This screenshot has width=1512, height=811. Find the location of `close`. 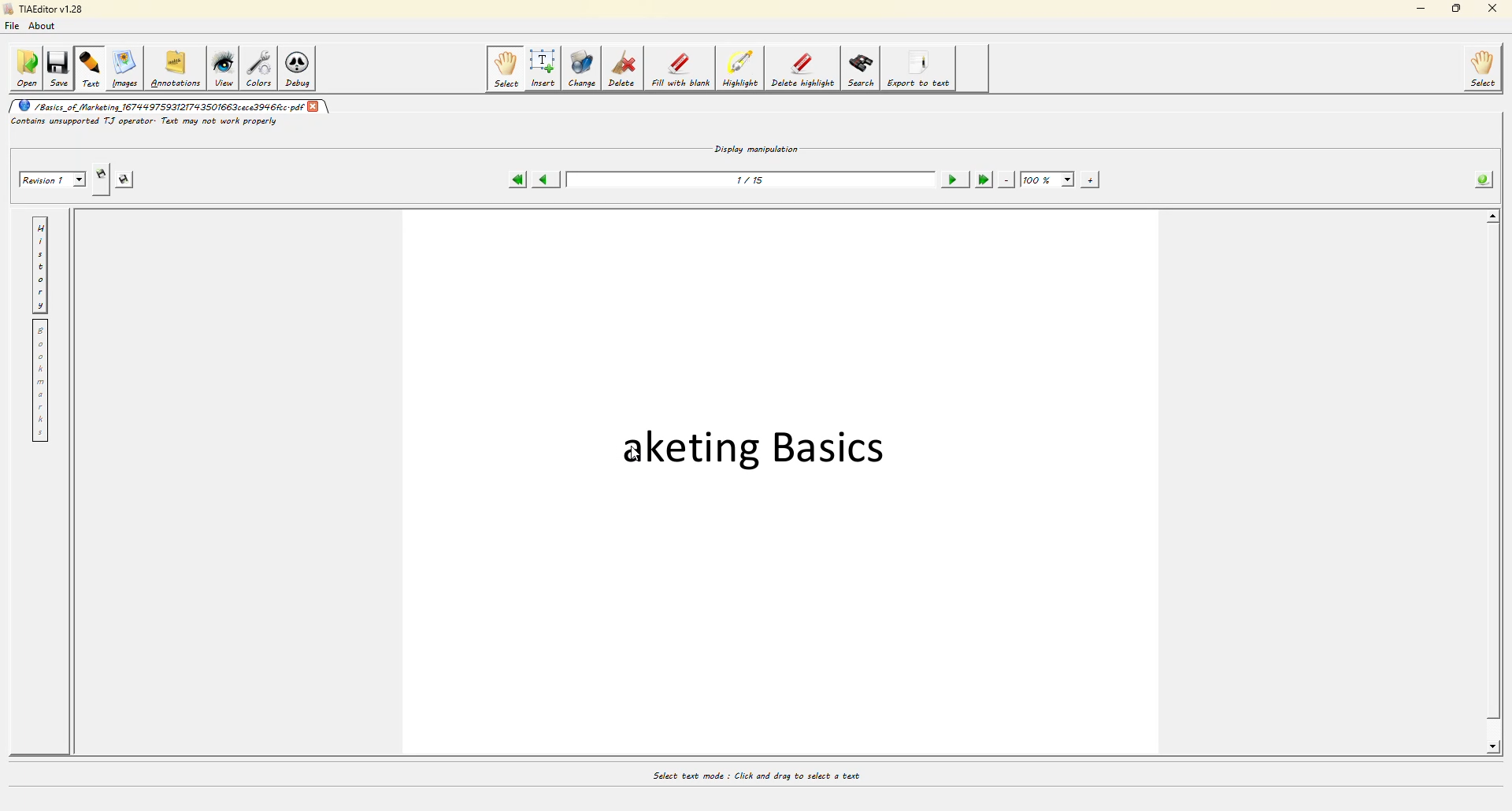

close is located at coordinates (315, 108).